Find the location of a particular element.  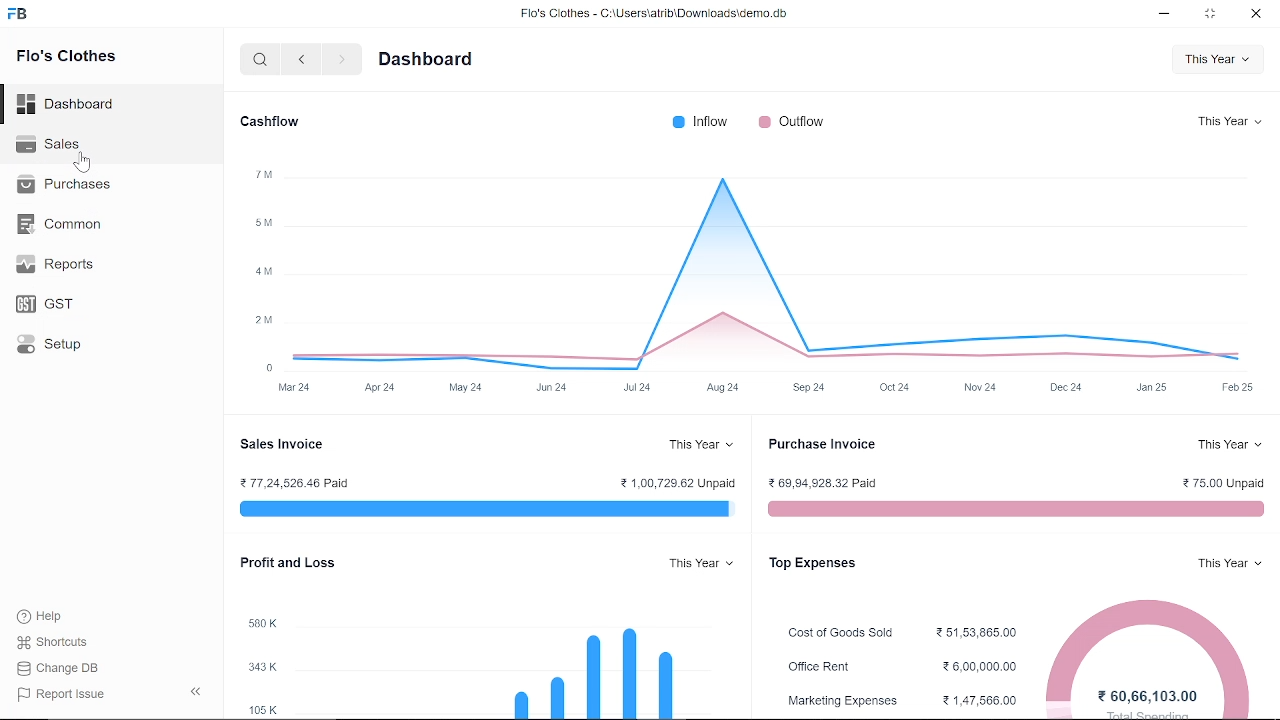

2 77,24,526.46 Paid is located at coordinates (293, 480).